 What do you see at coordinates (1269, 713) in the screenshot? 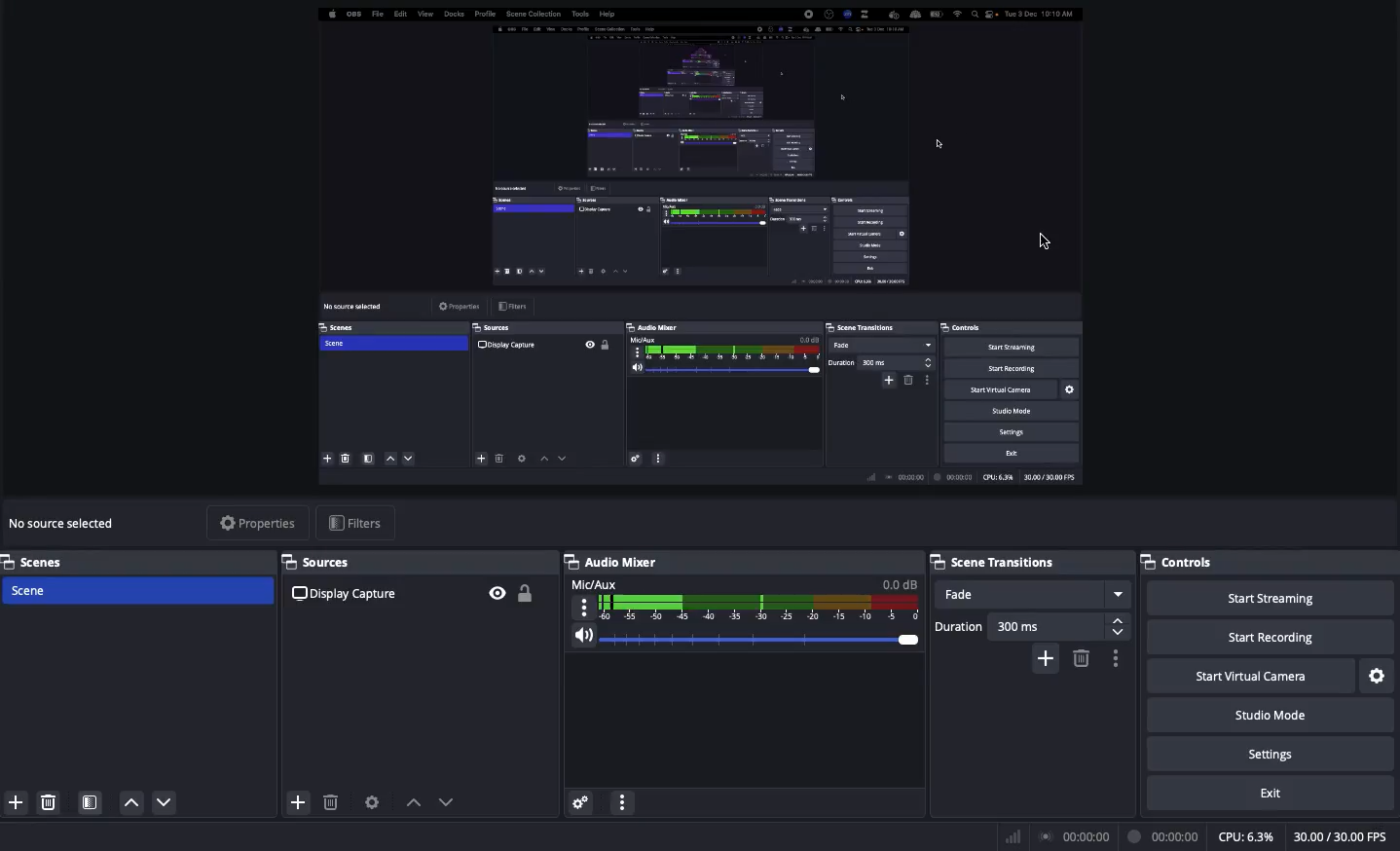
I see `Studio mode` at bounding box center [1269, 713].